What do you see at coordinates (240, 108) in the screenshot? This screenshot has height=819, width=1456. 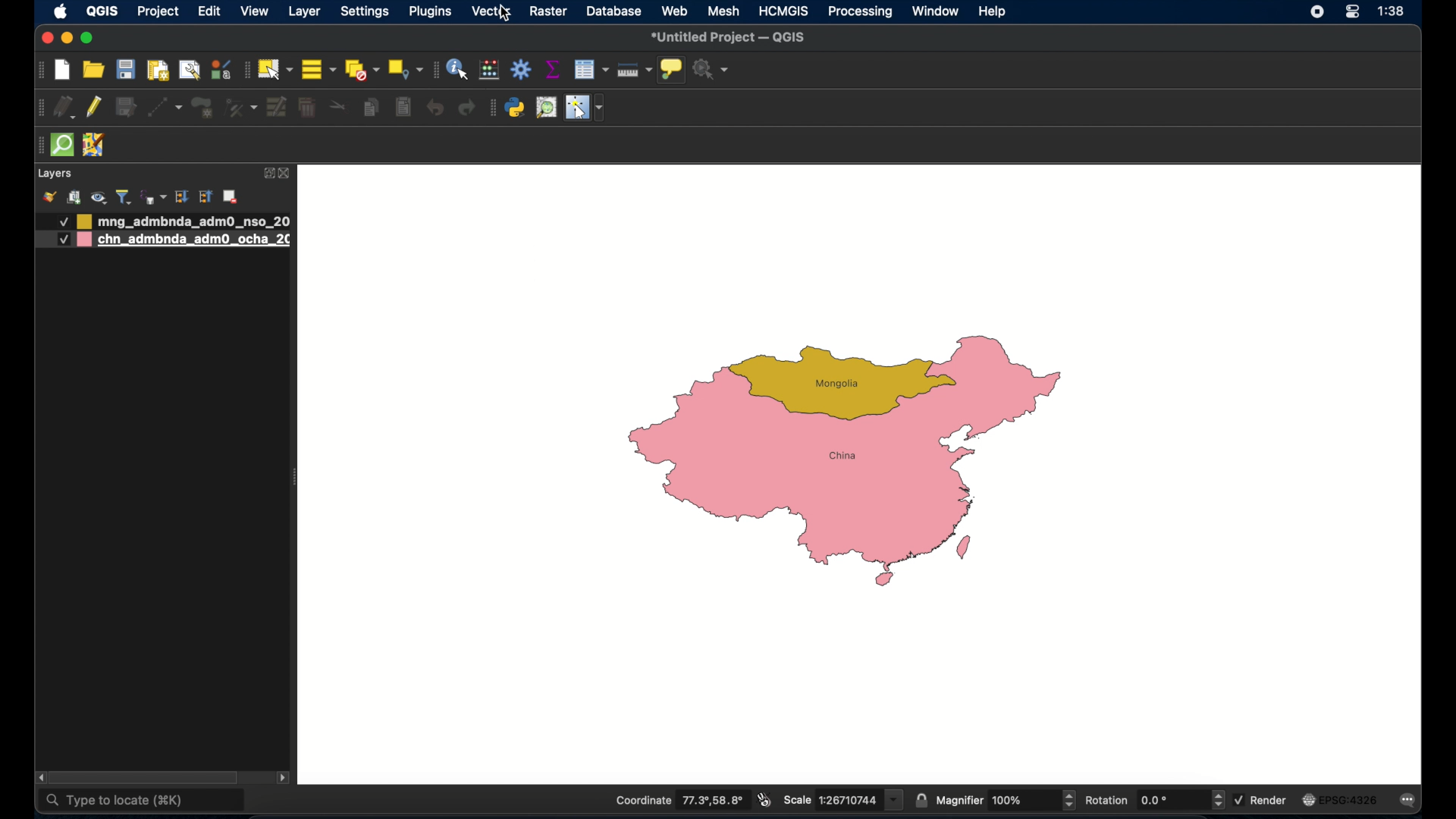 I see `vertex tool` at bounding box center [240, 108].